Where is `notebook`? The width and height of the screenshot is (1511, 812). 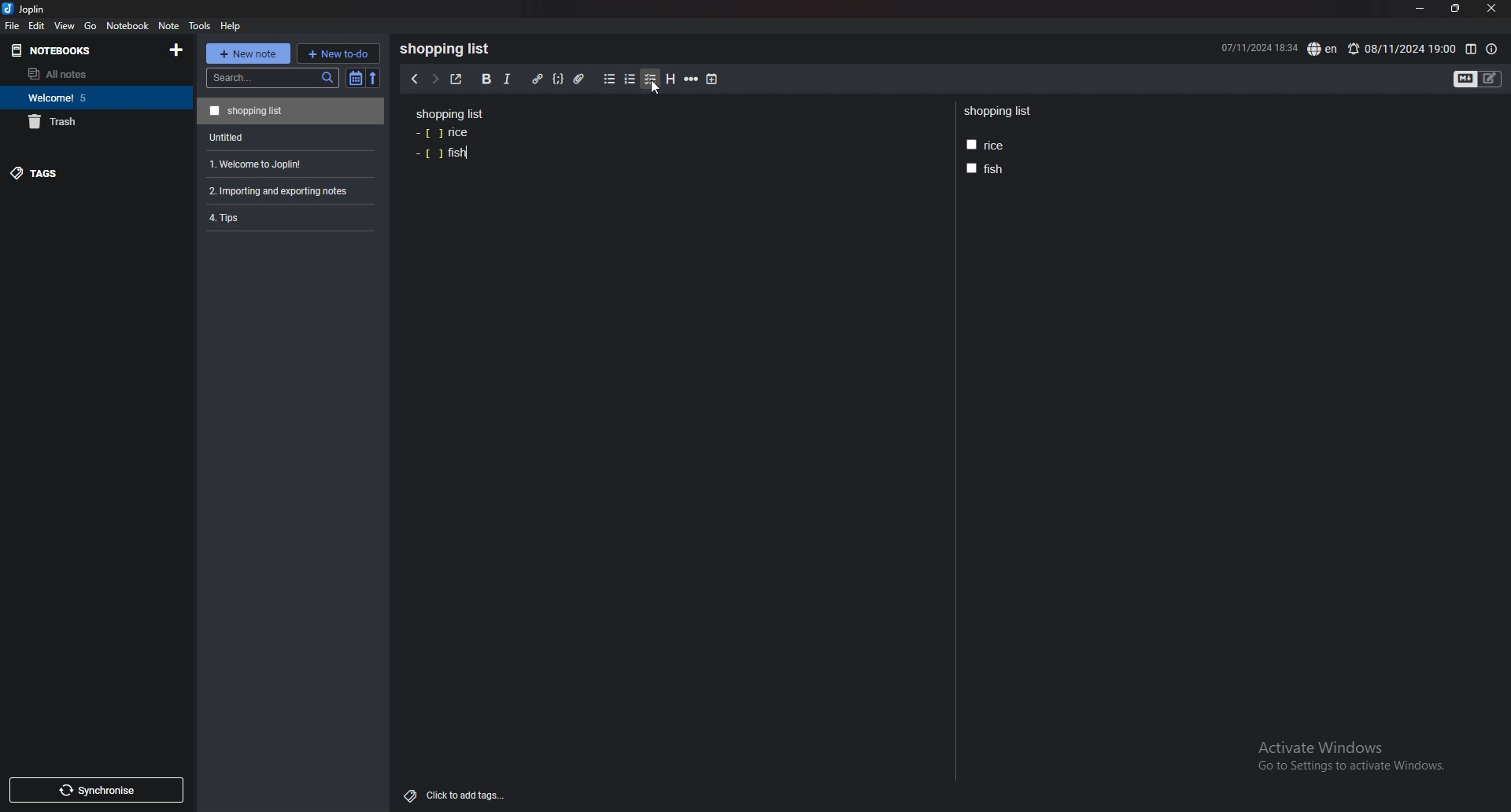 notebook is located at coordinates (128, 25).